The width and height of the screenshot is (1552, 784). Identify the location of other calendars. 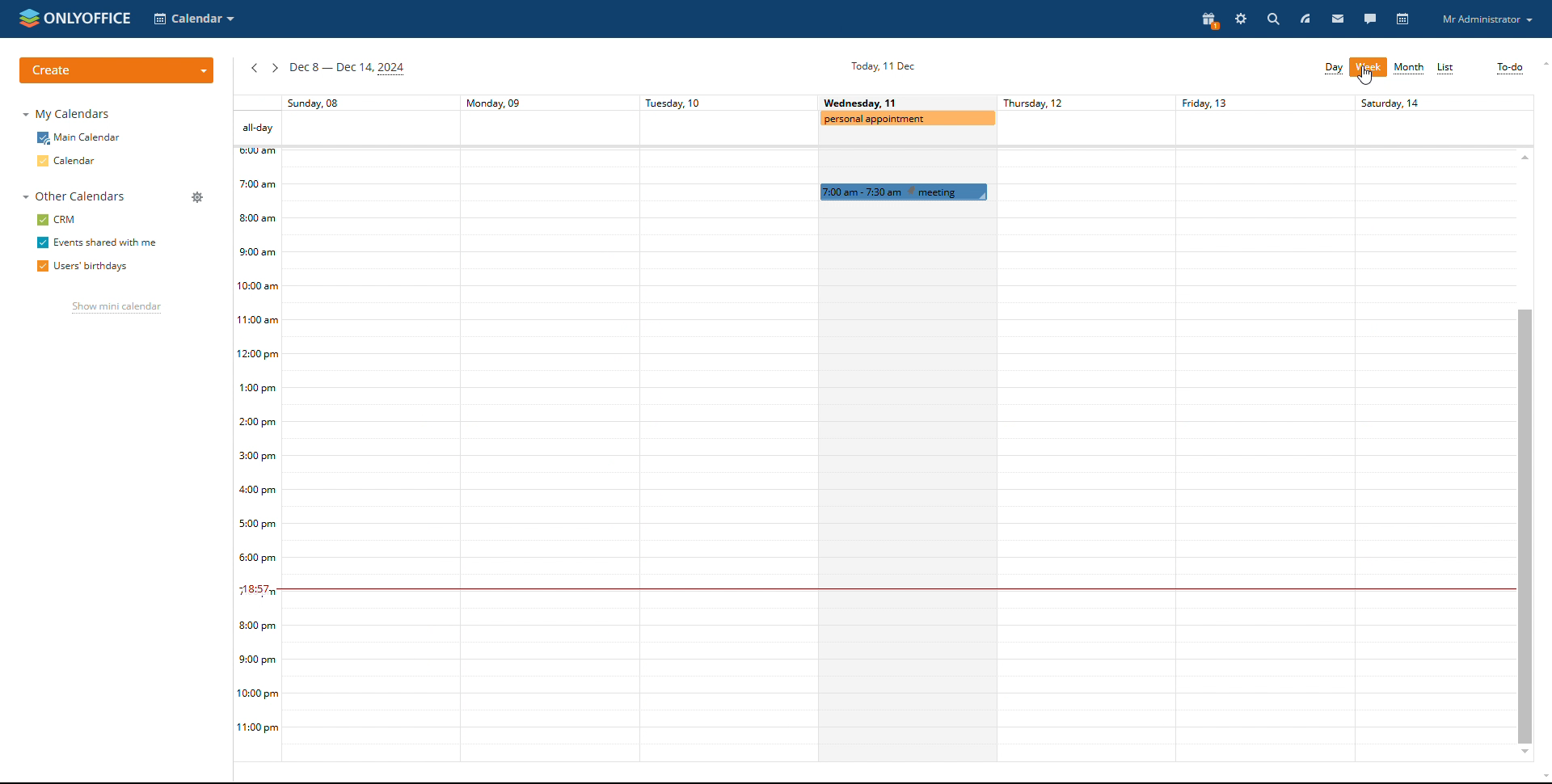
(75, 196).